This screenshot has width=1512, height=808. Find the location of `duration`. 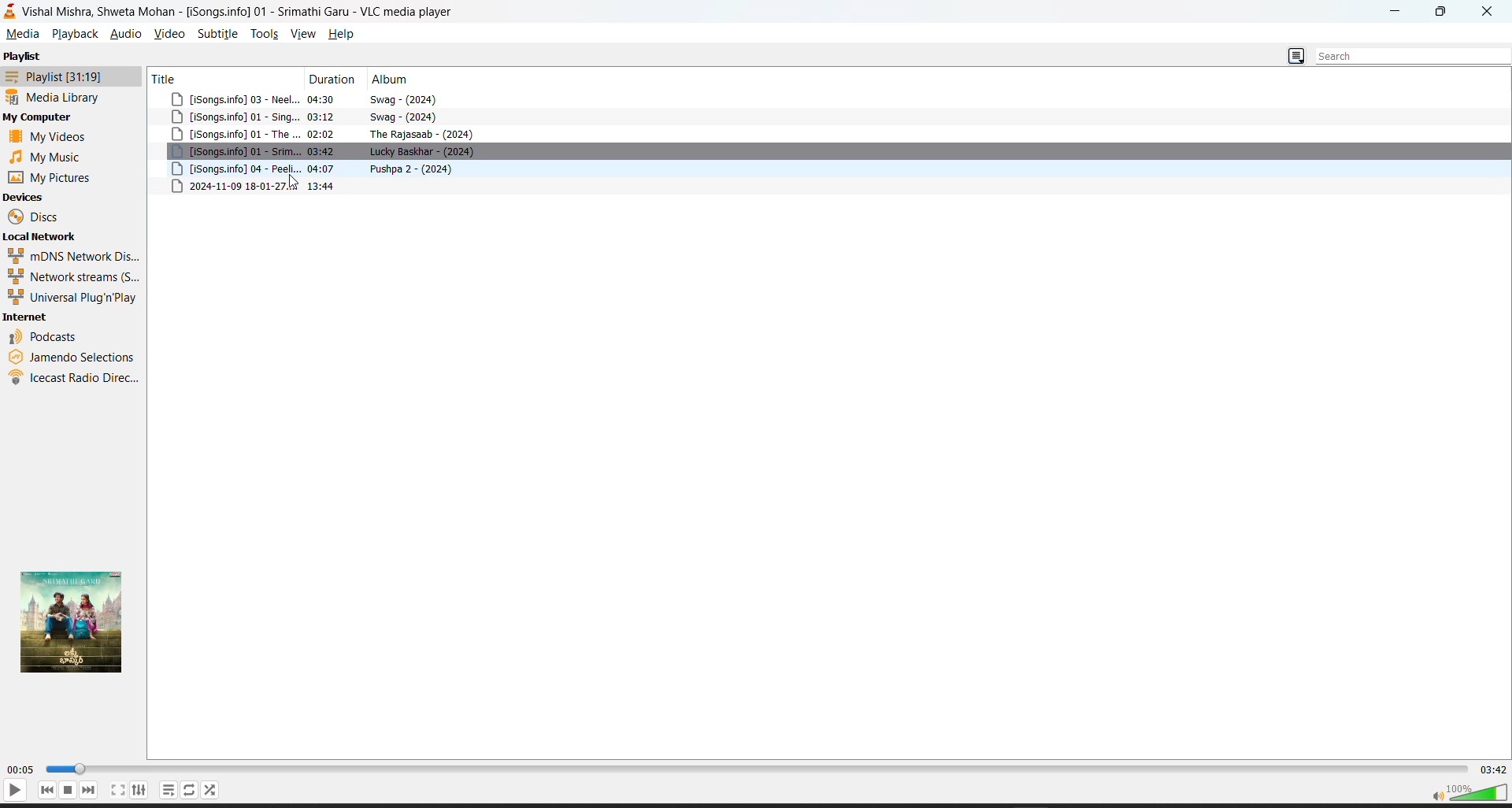

duration is located at coordinates (329, 79).